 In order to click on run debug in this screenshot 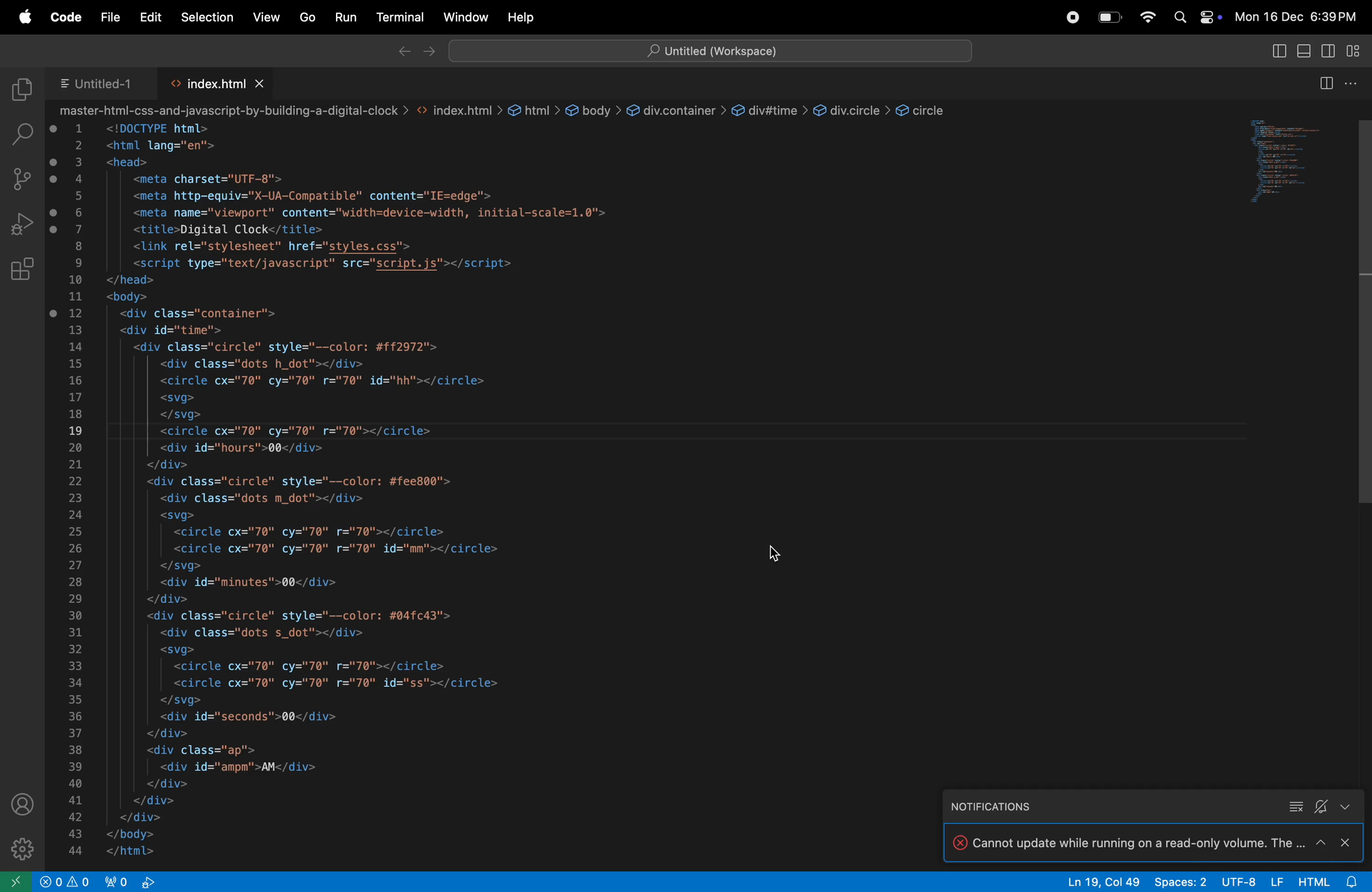, I will do `click(22, 226)`.